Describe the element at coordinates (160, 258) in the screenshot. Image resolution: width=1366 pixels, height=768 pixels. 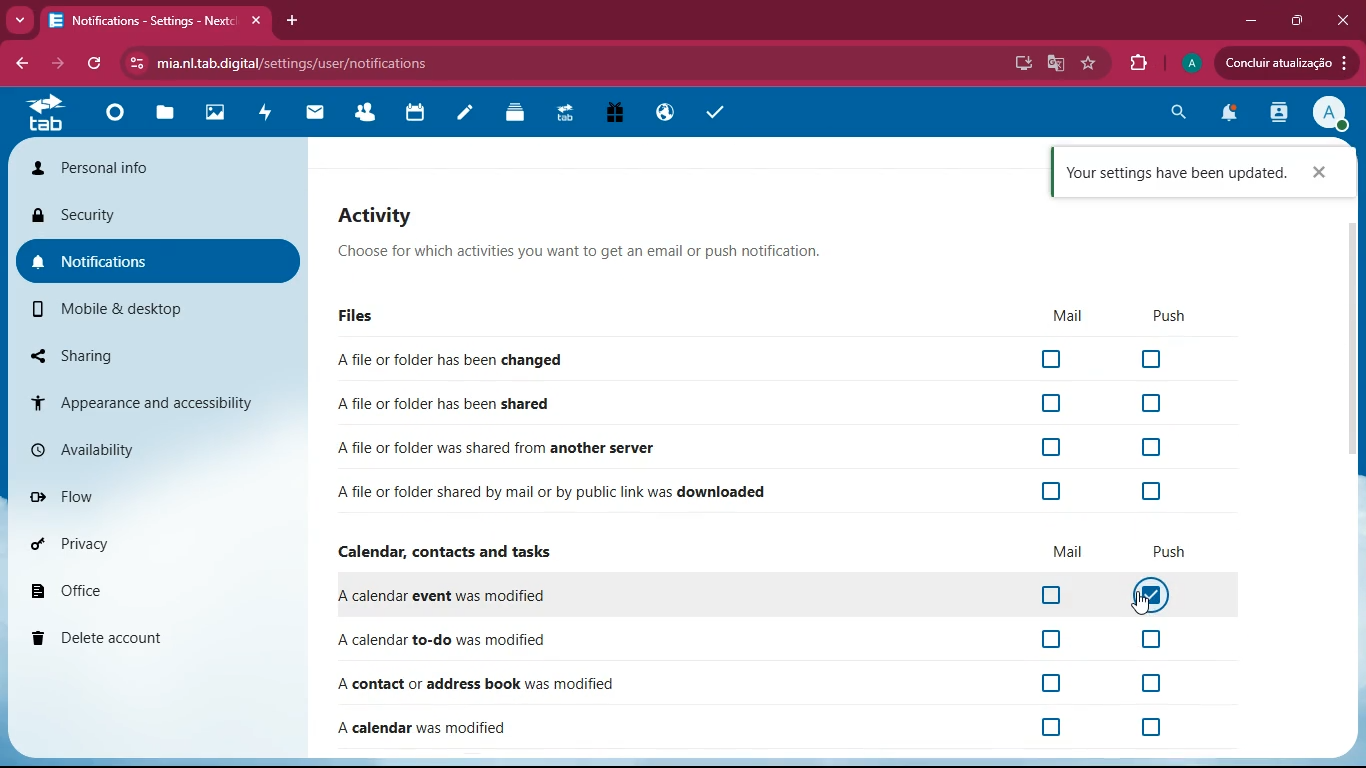
I see `notifications` at that location.